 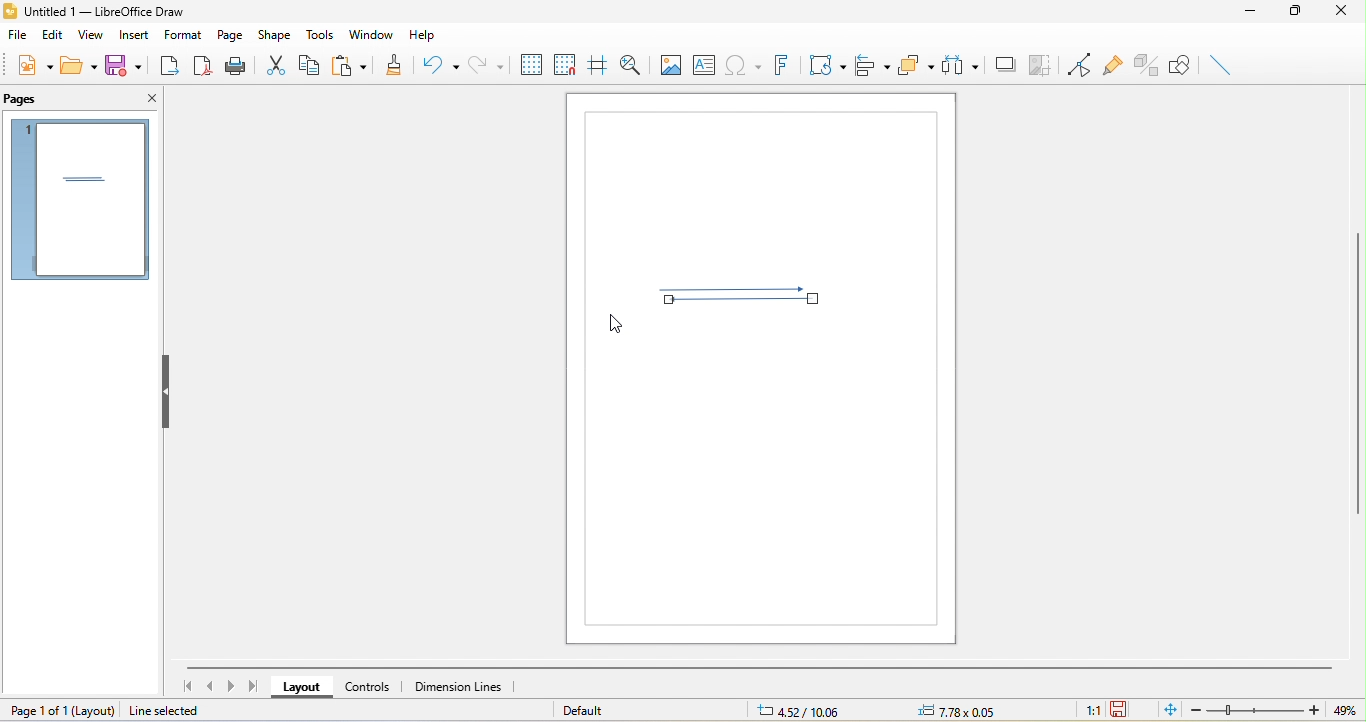 I want to click on layout, so click(x=298, y=688).